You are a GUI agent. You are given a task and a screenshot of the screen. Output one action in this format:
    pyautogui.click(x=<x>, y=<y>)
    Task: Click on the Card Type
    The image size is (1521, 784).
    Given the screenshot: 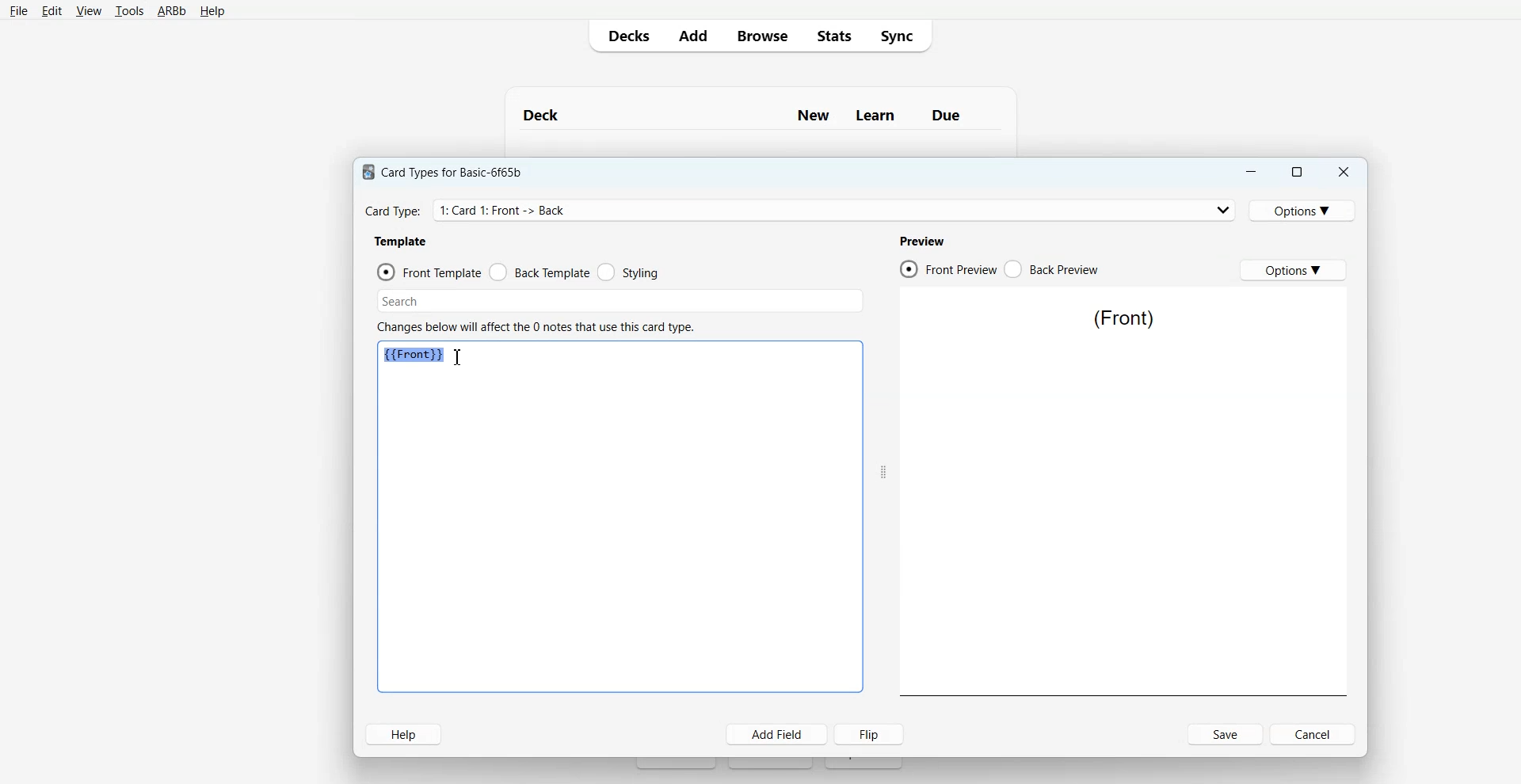 What is the action you would take?
    pyautogui.click(x=799, y=209)
    